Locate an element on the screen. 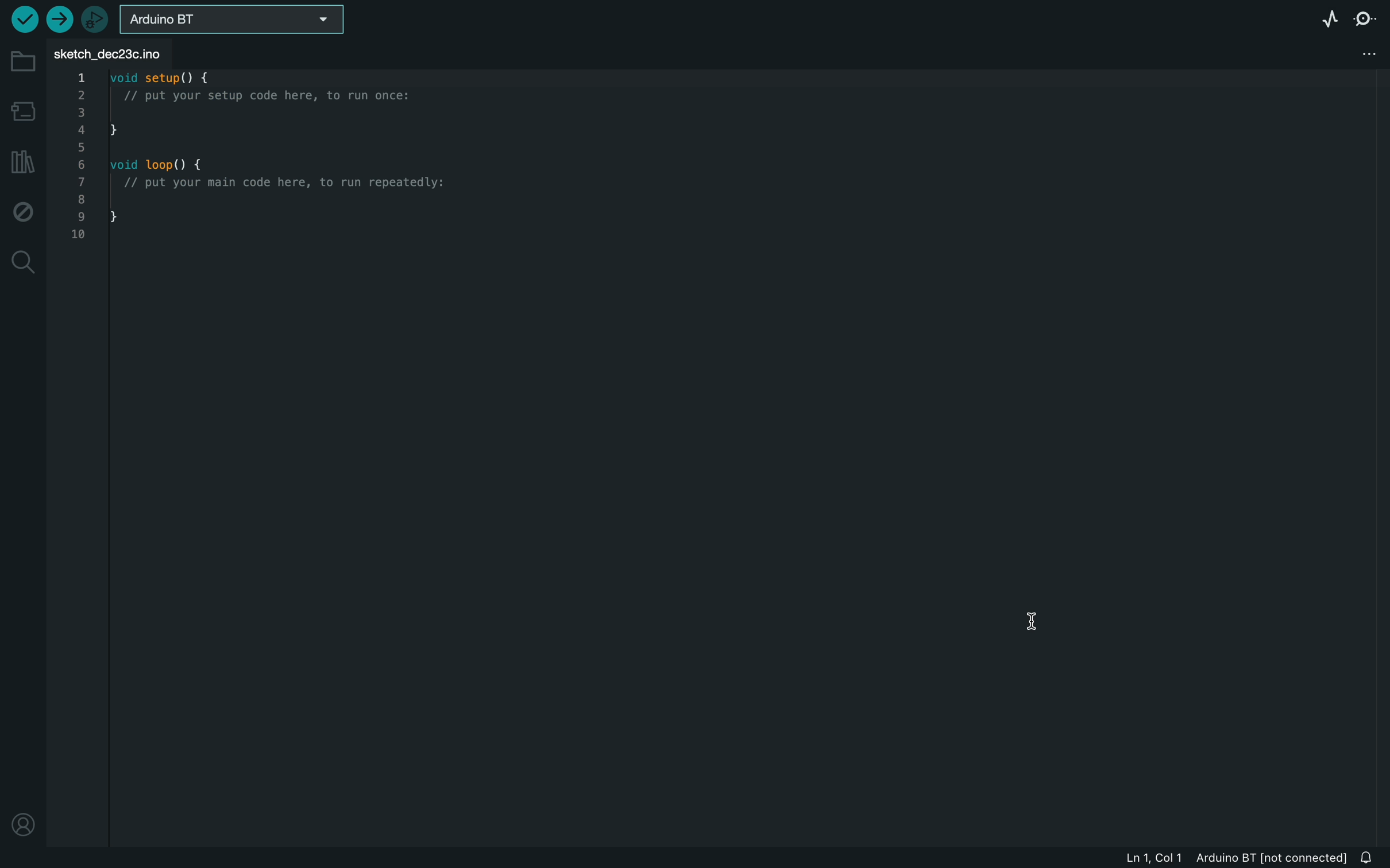  debugger is located at coordinates (98, 18).